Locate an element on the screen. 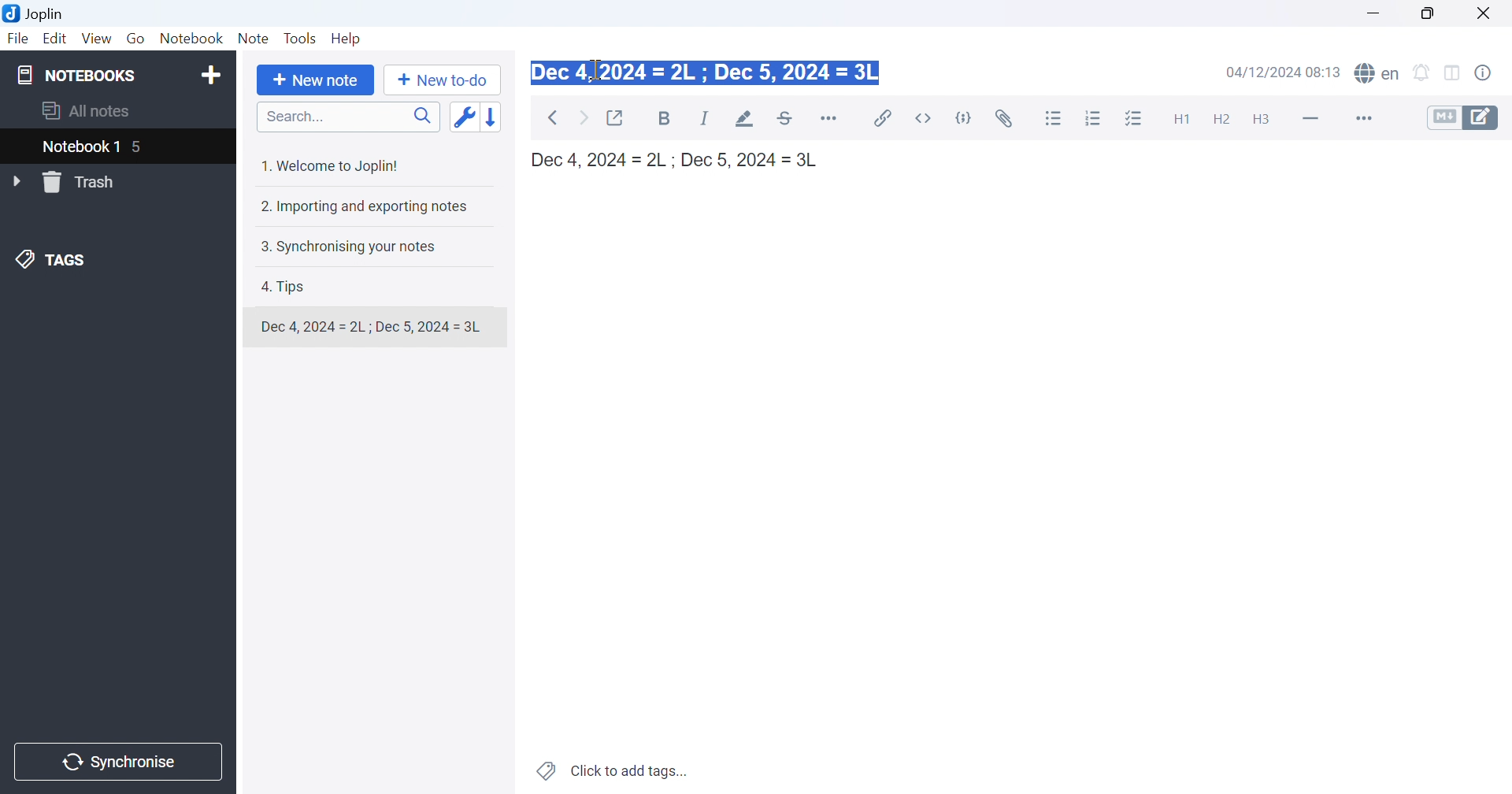 Image resolution: width=1512 pixels, height=794 pixels. Numbered list is located at coordinates (1093, 119).